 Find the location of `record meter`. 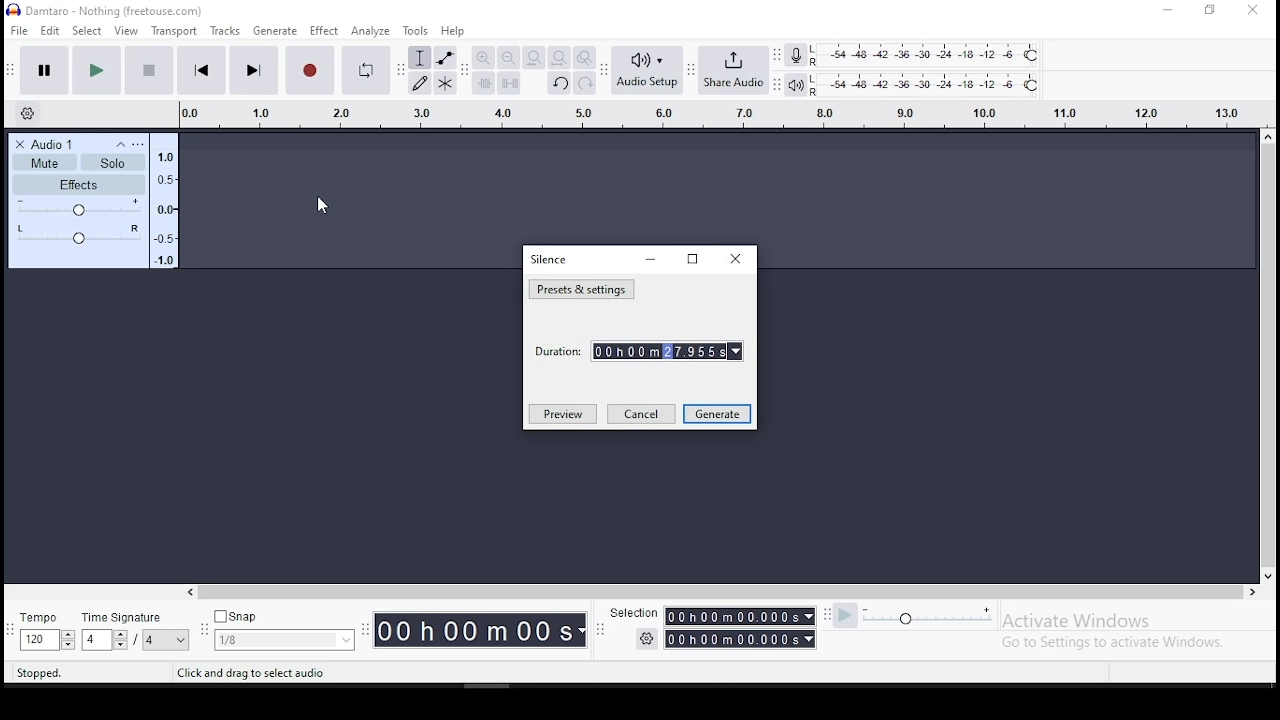

record meter is located at coordinates (796, 56).